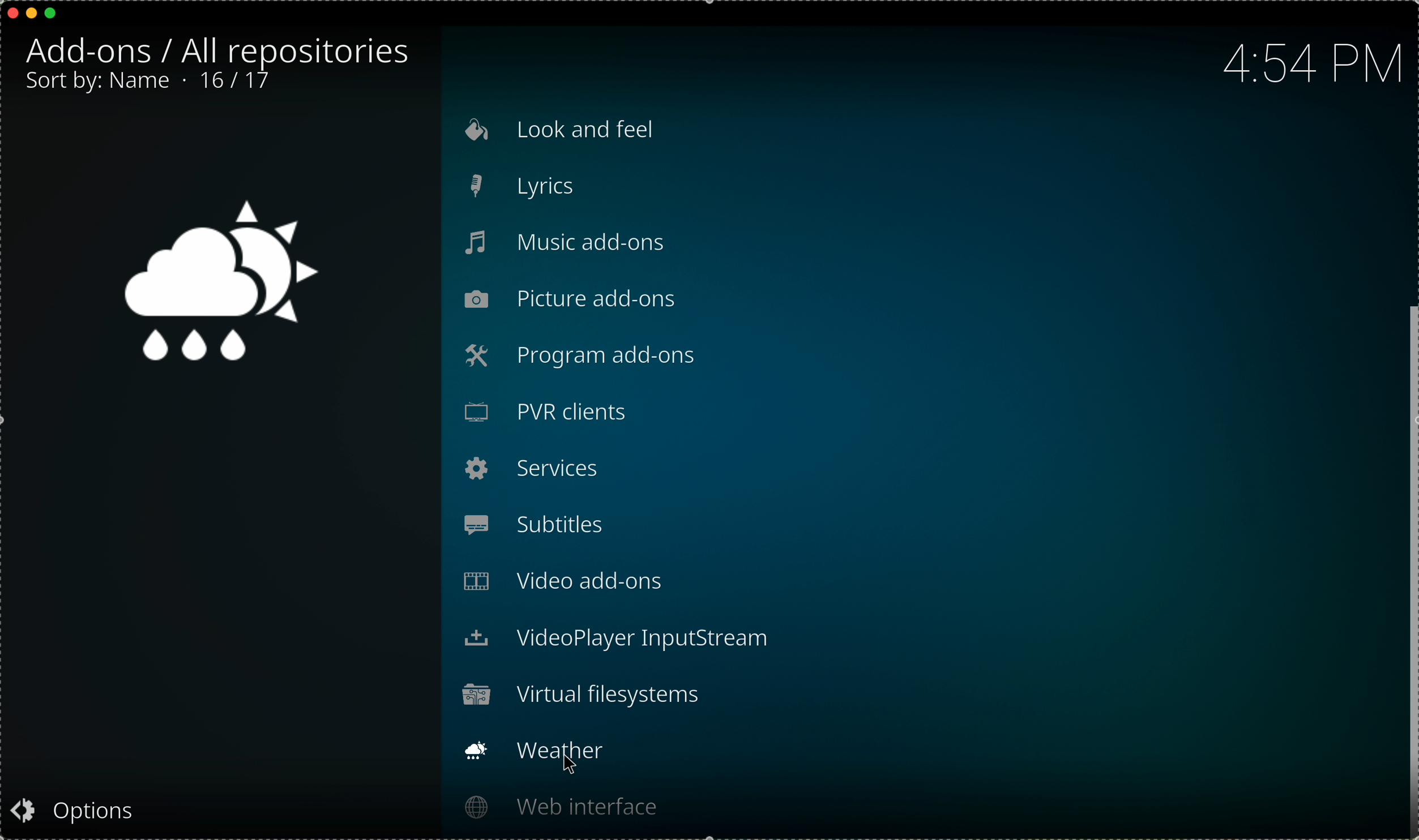  Describe the element at coordinates (33, 13) in the screenshot. I see `minimize` at that location.